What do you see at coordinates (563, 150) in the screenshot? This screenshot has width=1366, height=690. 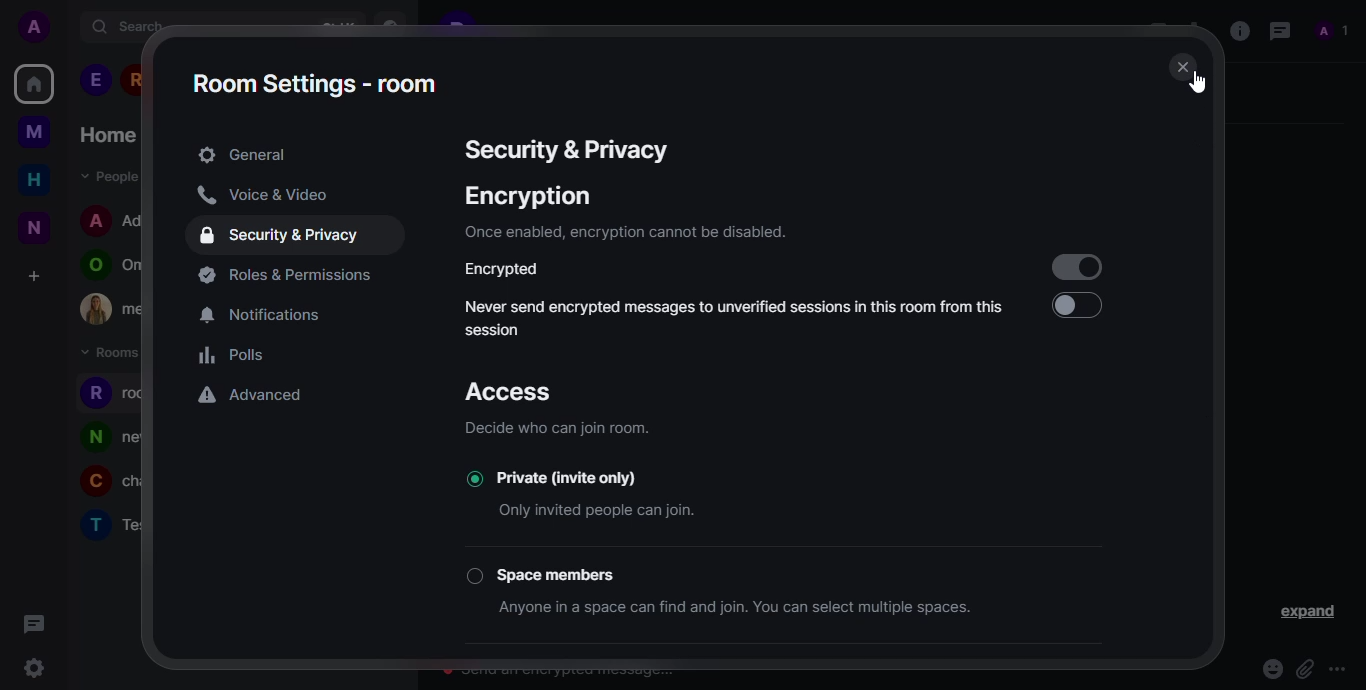 I see `security` at bounding box center [563, 150].